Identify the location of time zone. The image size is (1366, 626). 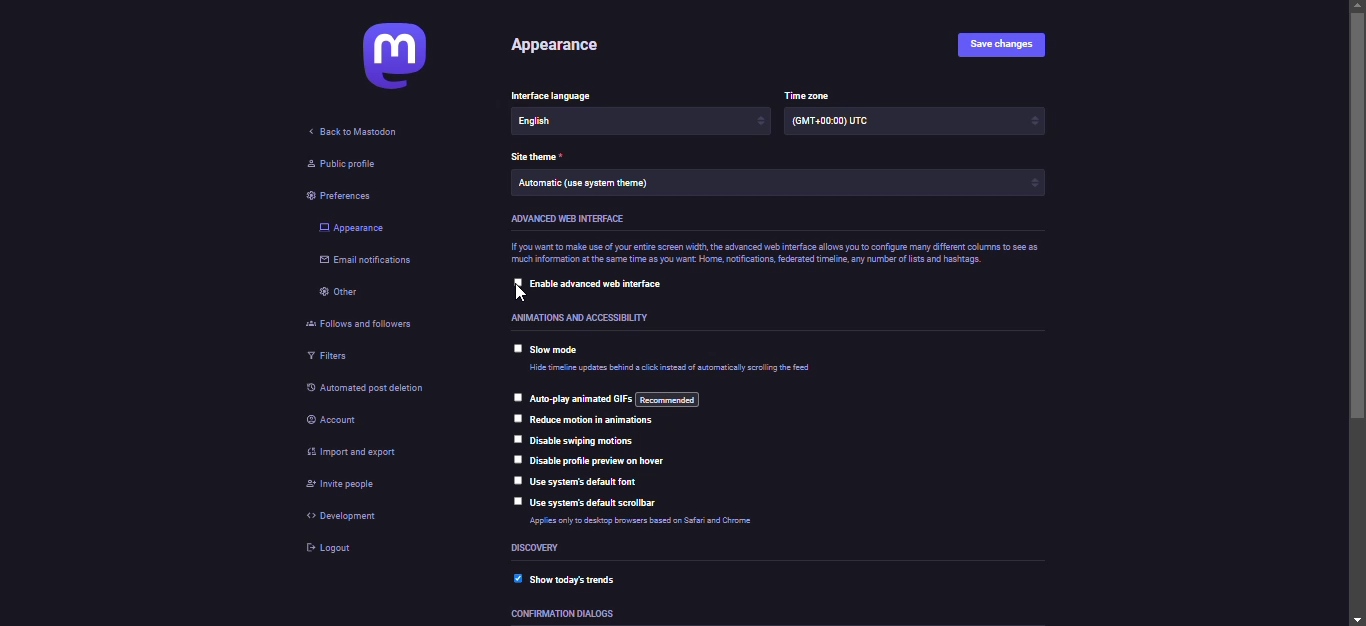
(804, 96).